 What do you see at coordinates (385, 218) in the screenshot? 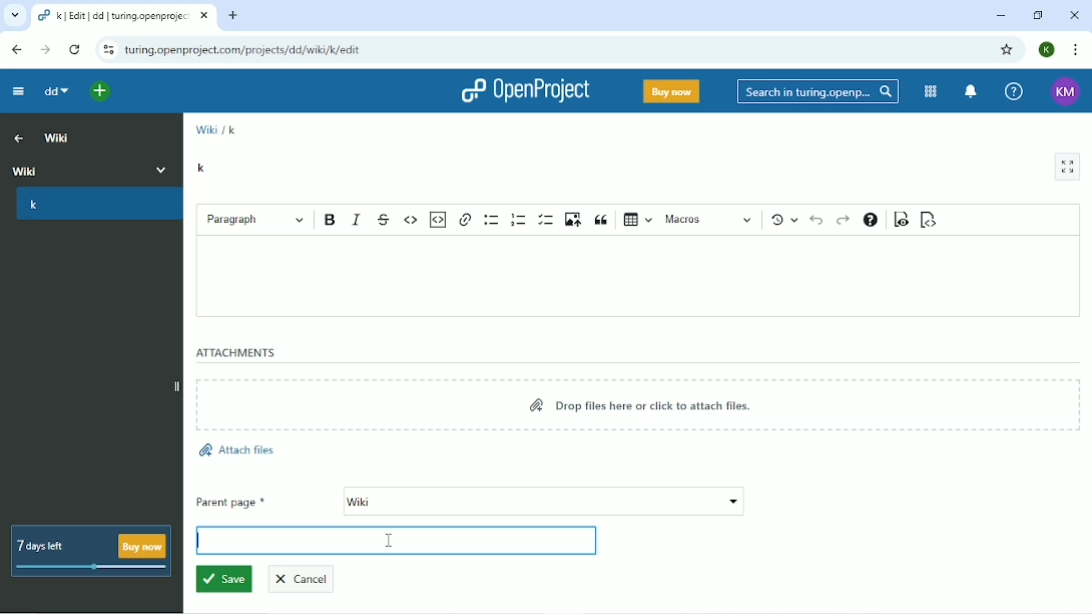
I see `Strikethrough` at bounding box center [385, 218].